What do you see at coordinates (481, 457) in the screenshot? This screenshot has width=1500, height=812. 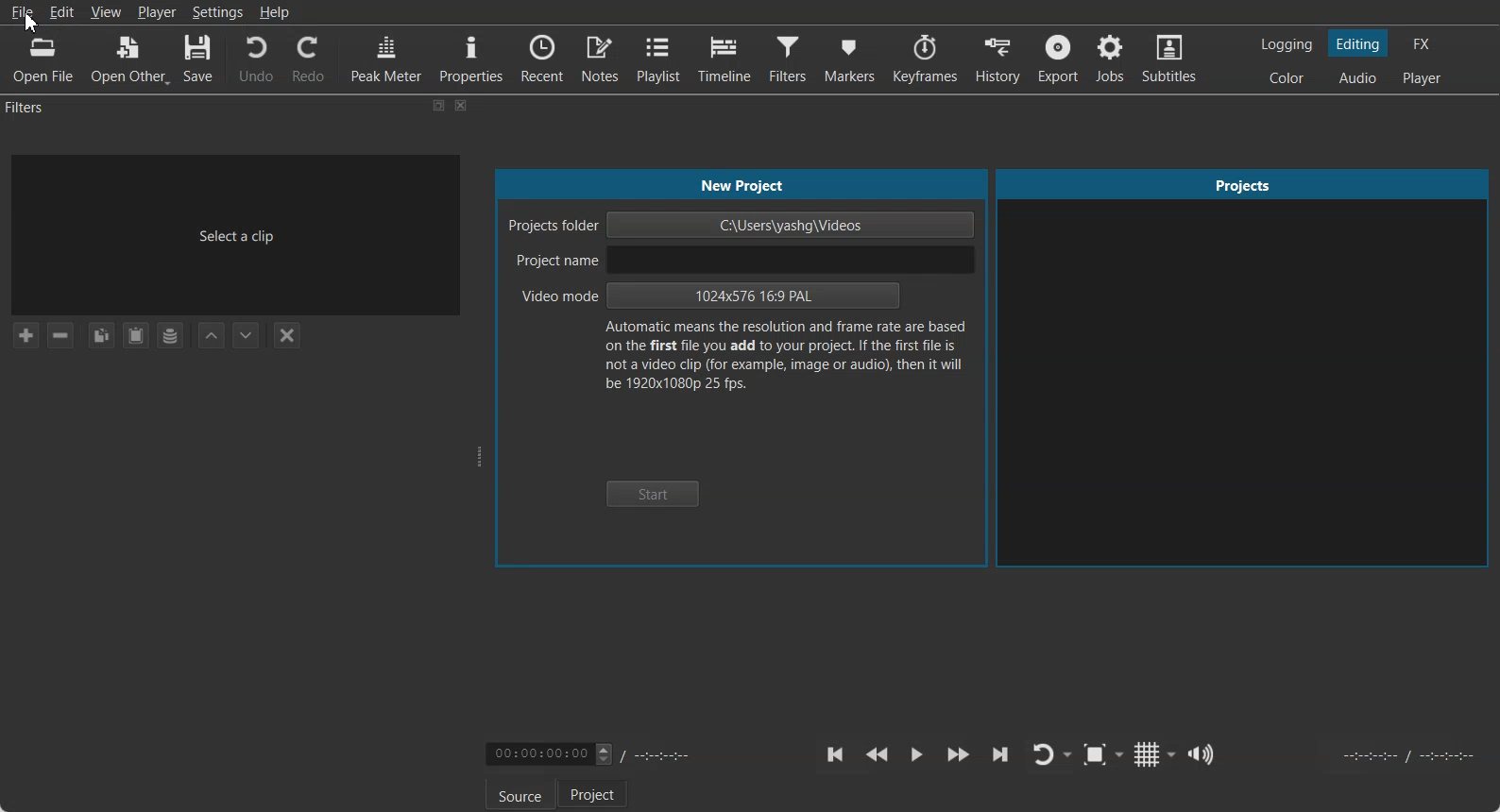 I see `Window Adjuster` at bounding box center [481, 457].